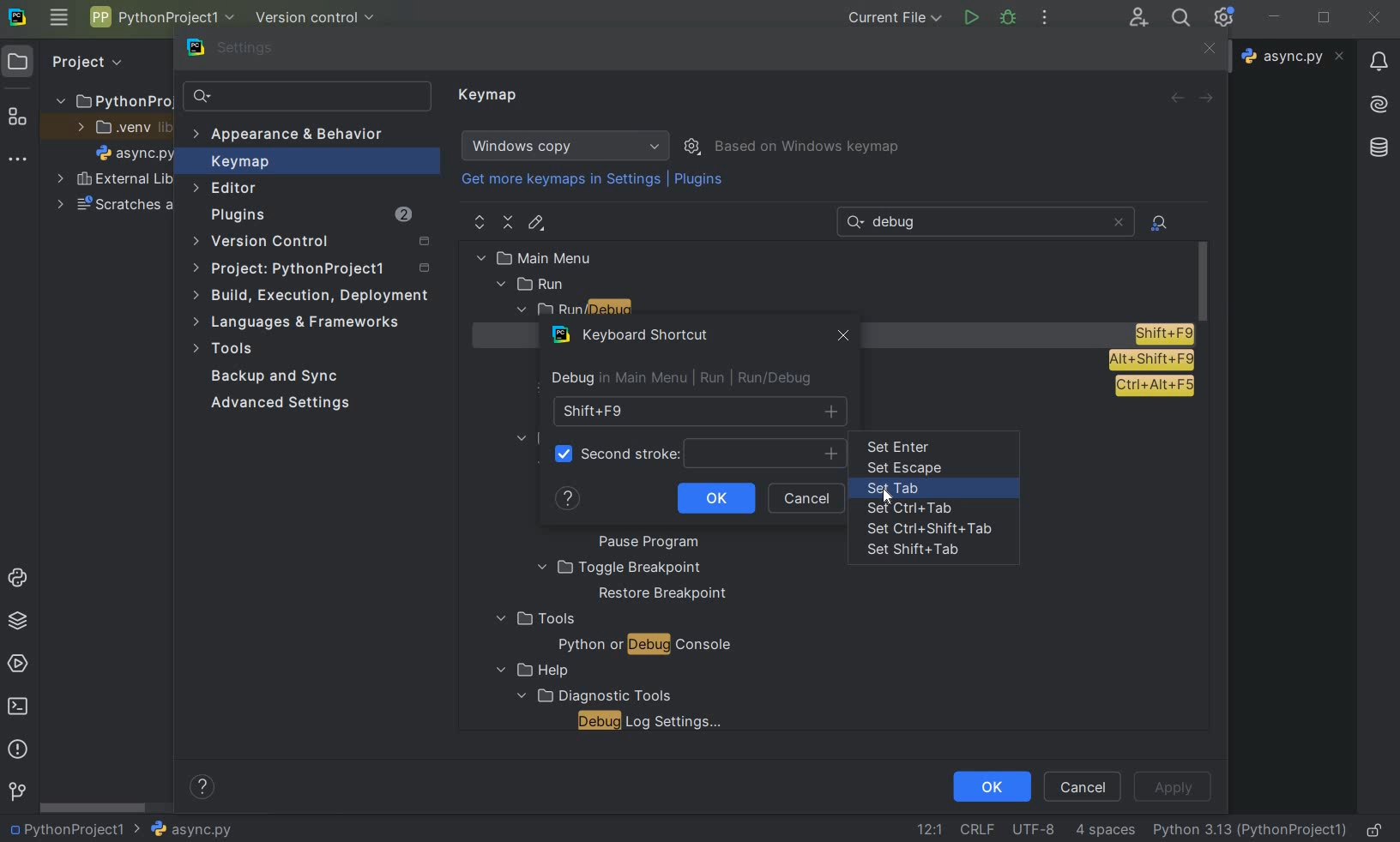 This screenshot has width=1400, height=842. What do you see at coordinates (1151, 360) in the screenshot?
I see `AIt+Shift+F9` at bounding box center [1151, 360].